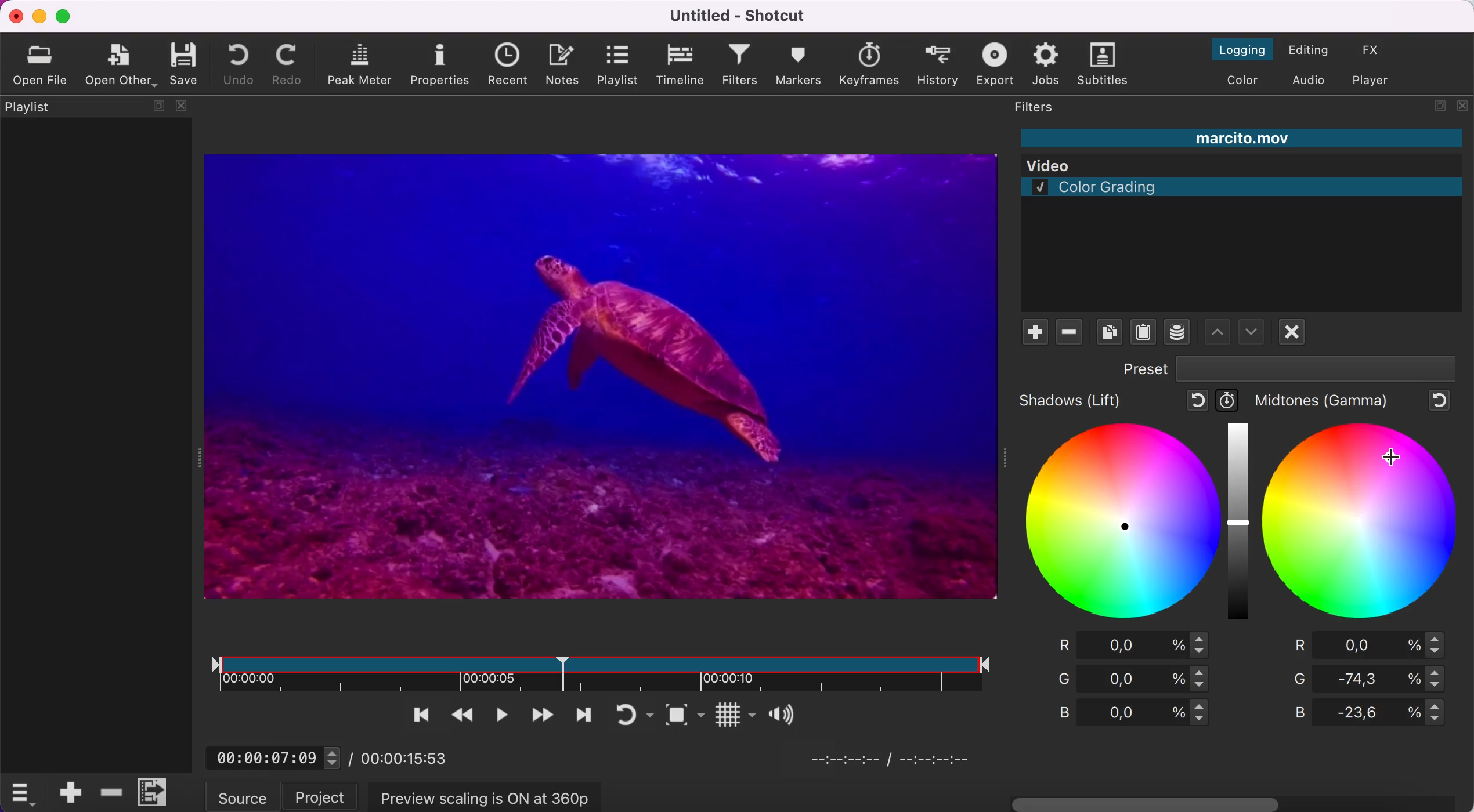 The image size is (1474, 812). I want to click on blue, so click(1135, 713).